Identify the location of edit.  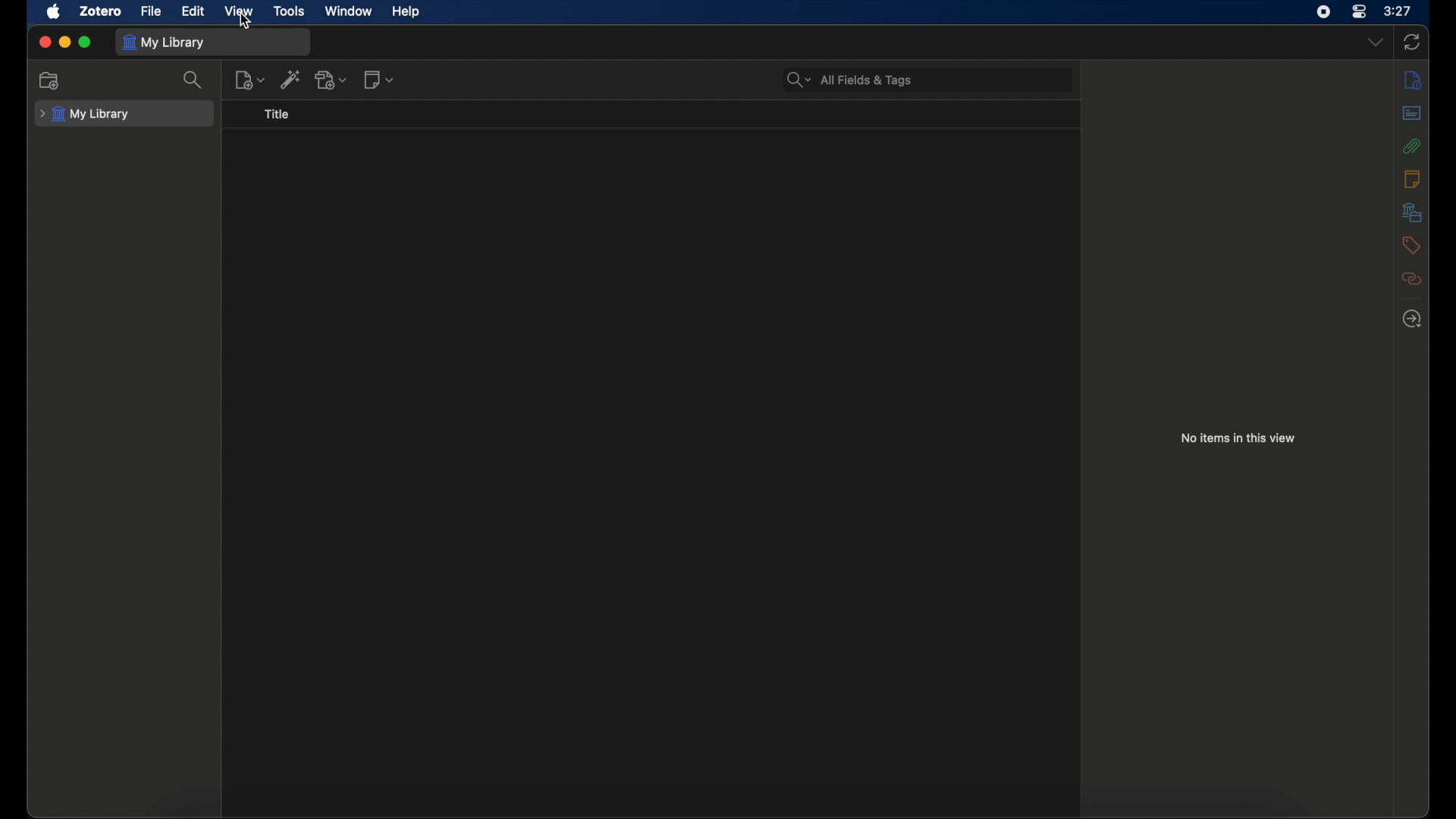
(193, 11).